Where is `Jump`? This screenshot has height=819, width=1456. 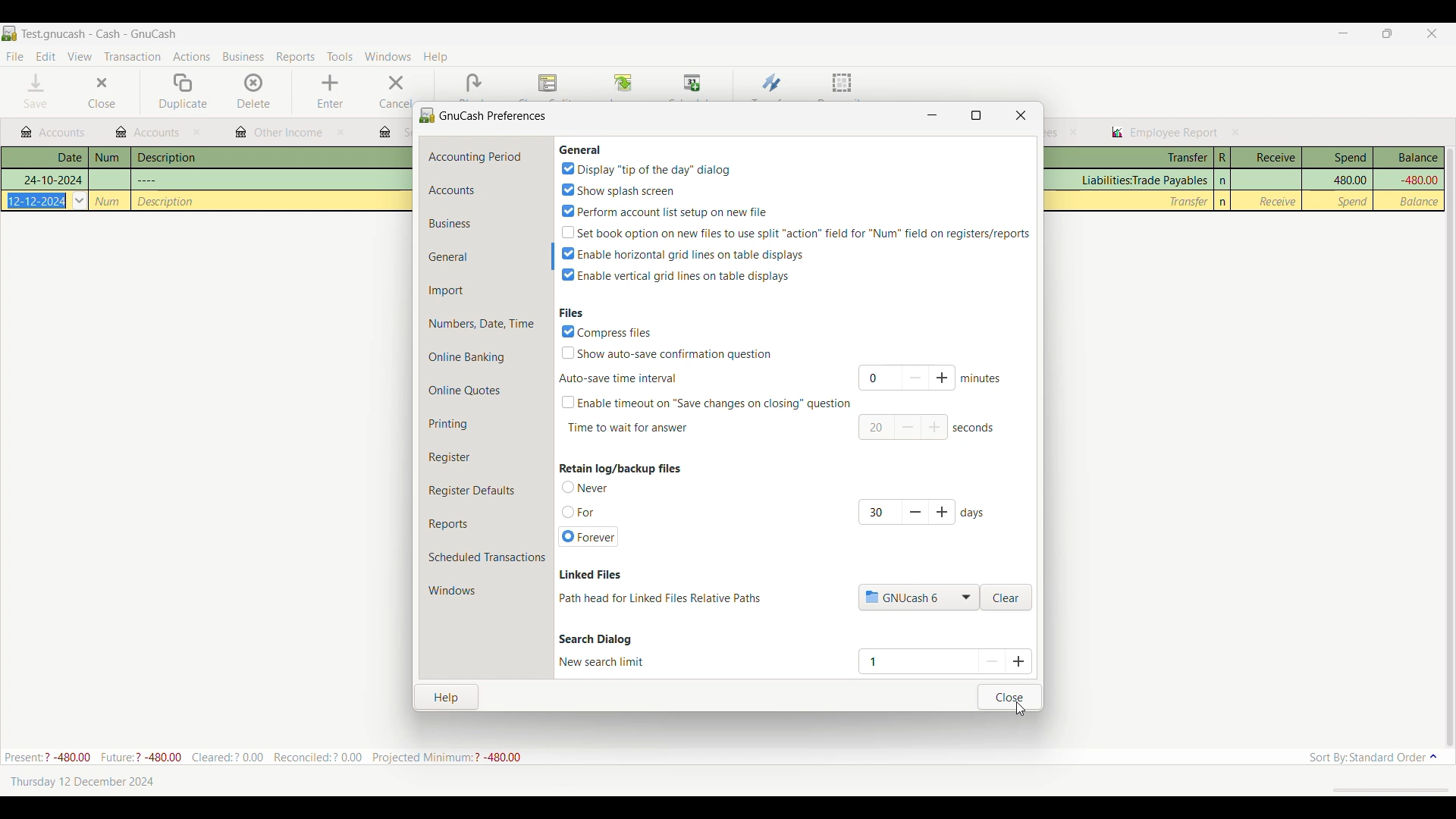 Jump is located at coordinates (623, 84).